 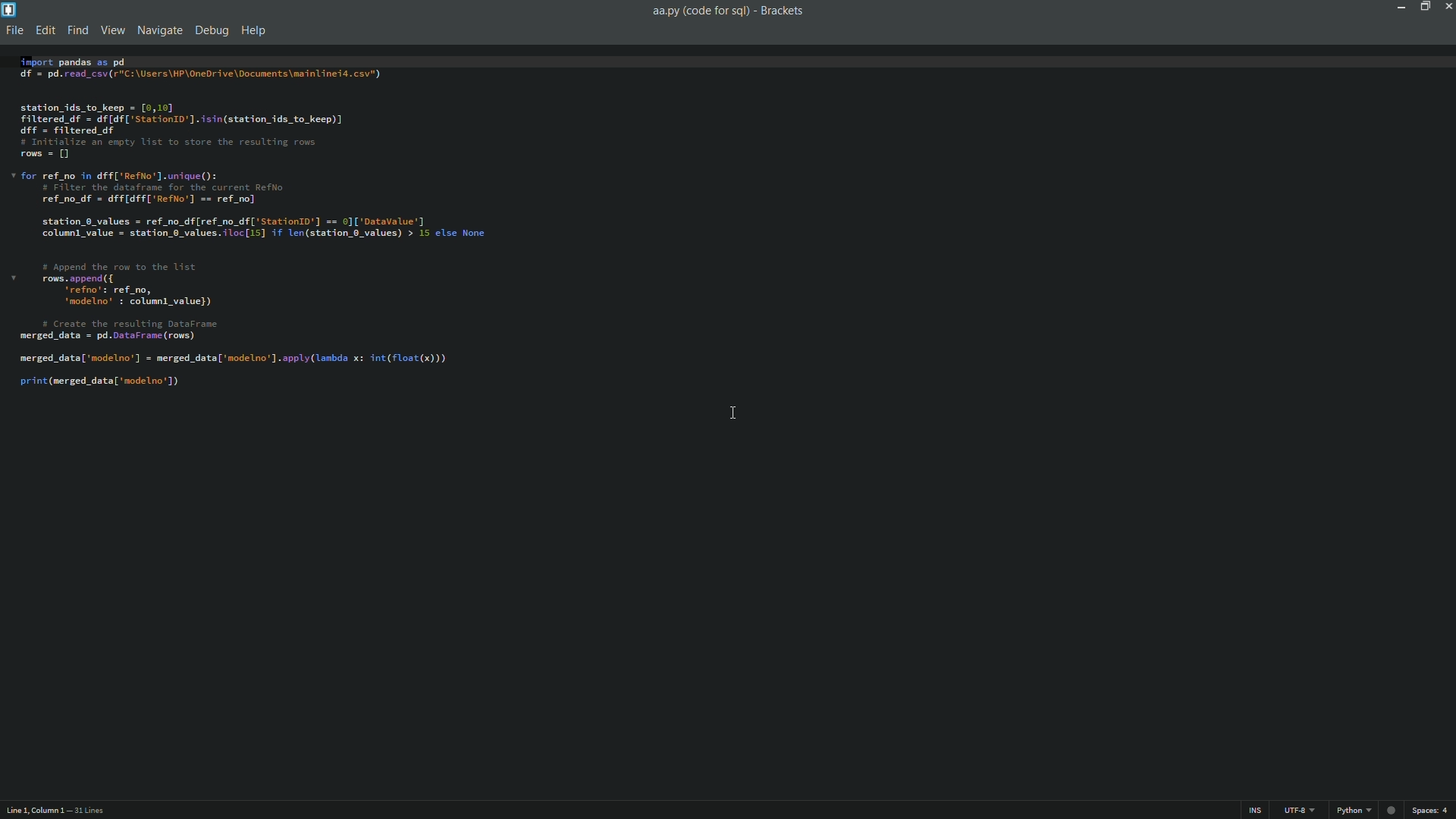 What do you see at coordinates (254, 32) in the screenshot?
I see `help menu` at bounding box center [254, 32].